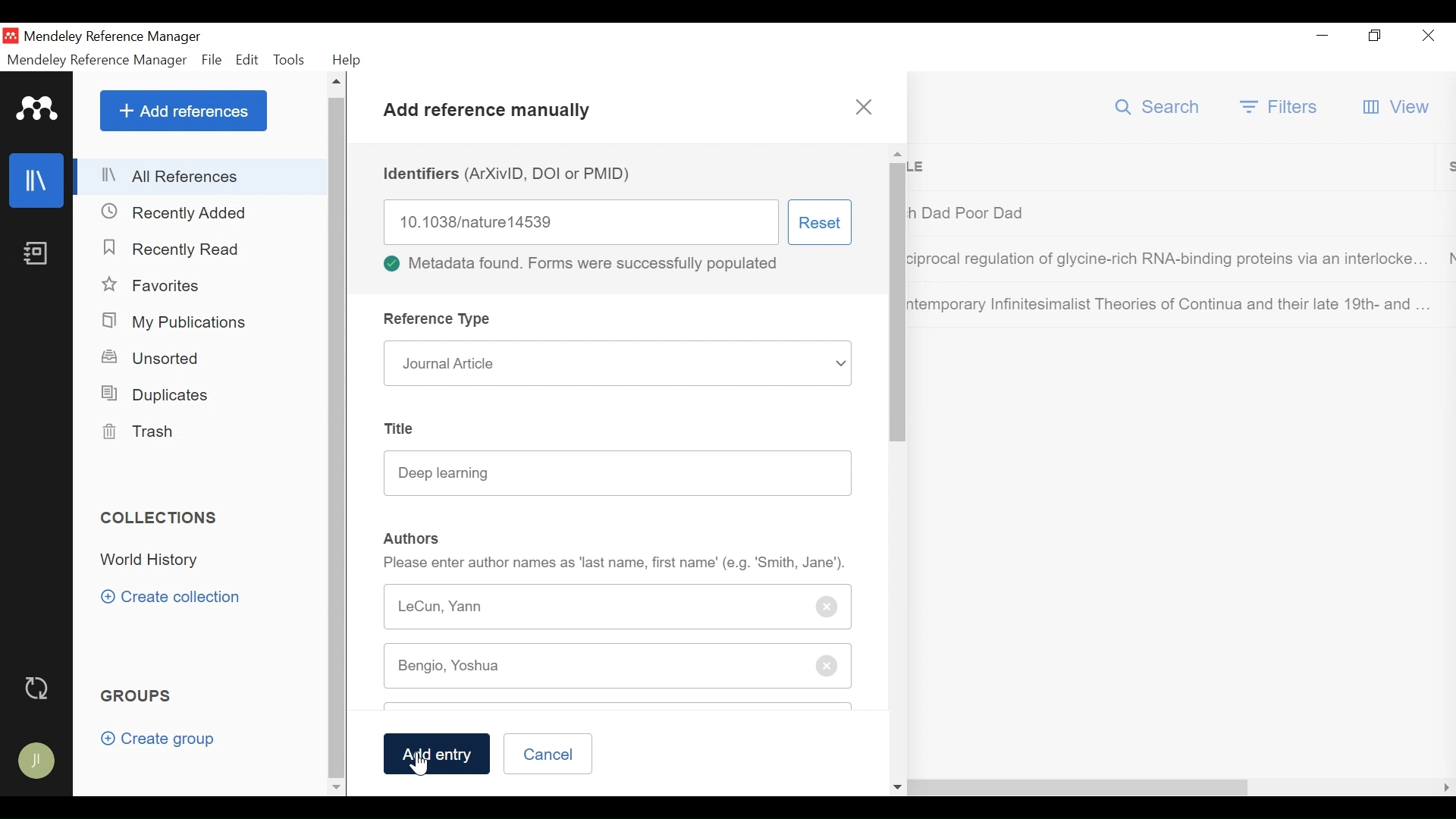 This screenshot has width=1456, height=819. I want to click on Favorites, so click(152, 284).